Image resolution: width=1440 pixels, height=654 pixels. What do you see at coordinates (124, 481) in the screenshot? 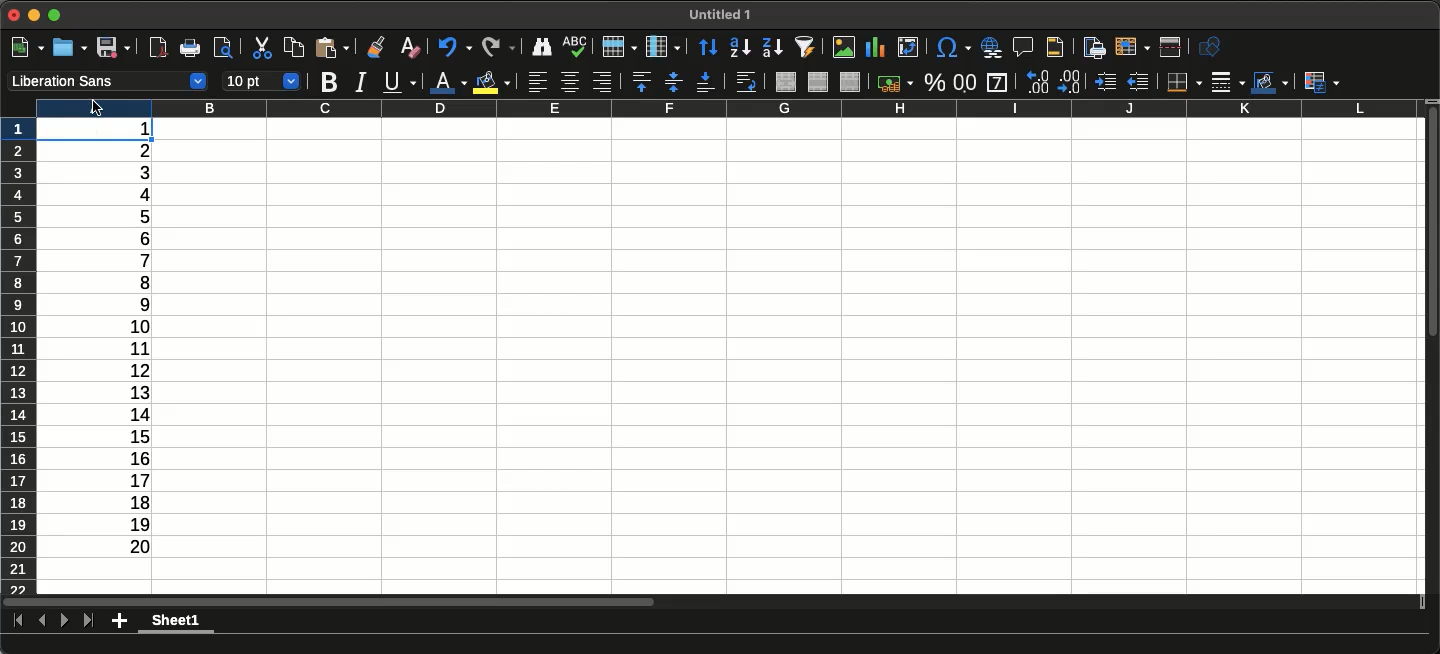
I see `17` at bounding box center [124, 481].